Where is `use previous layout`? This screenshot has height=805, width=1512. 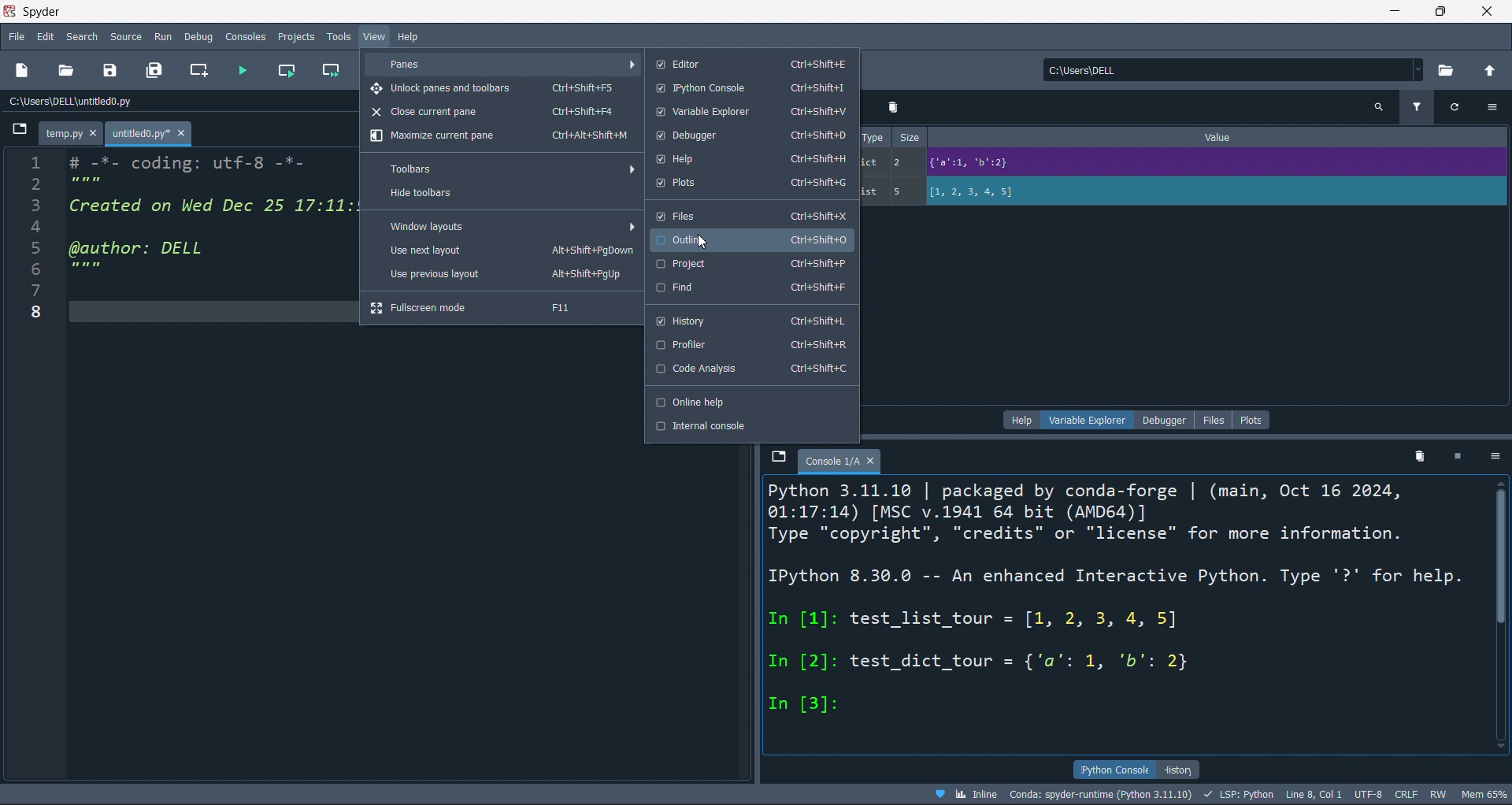 use previous layout is located at coordinates (498, 274).